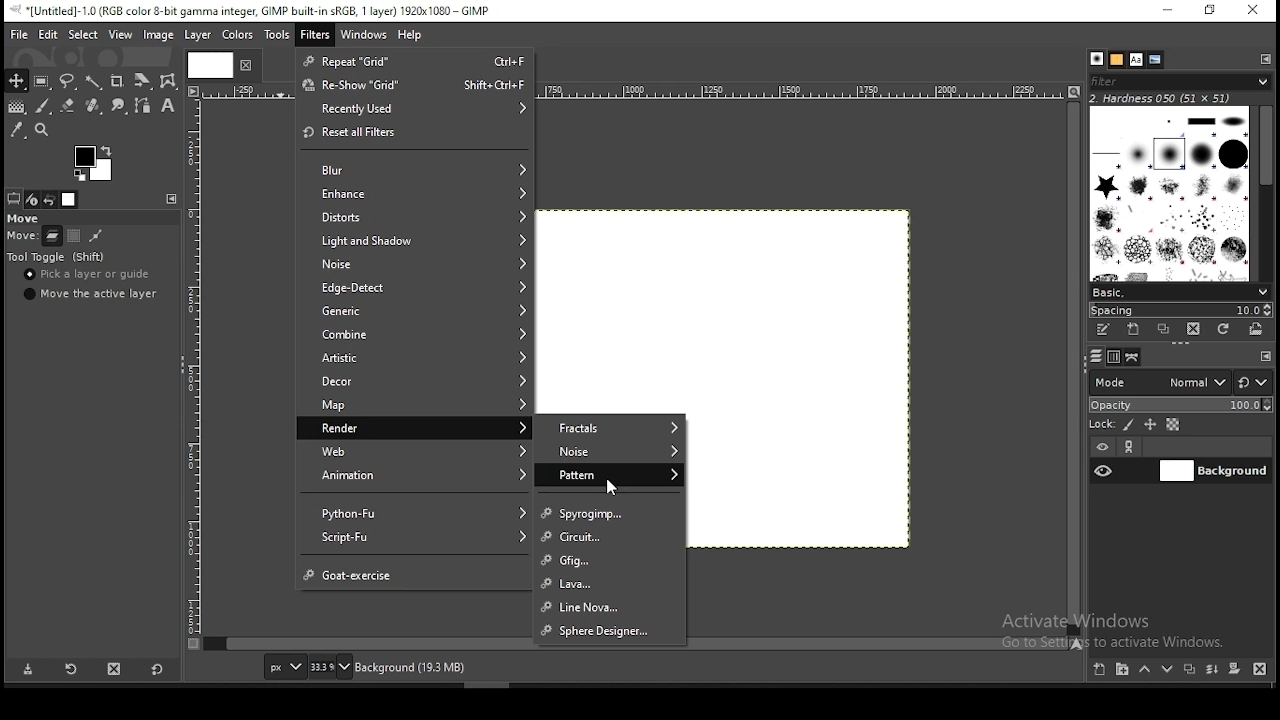 Image resolution: width=1280 pixels, height=720 pixels. Describe the element at coordinates (412, 36) in the screenshot. I see `help` at that location.